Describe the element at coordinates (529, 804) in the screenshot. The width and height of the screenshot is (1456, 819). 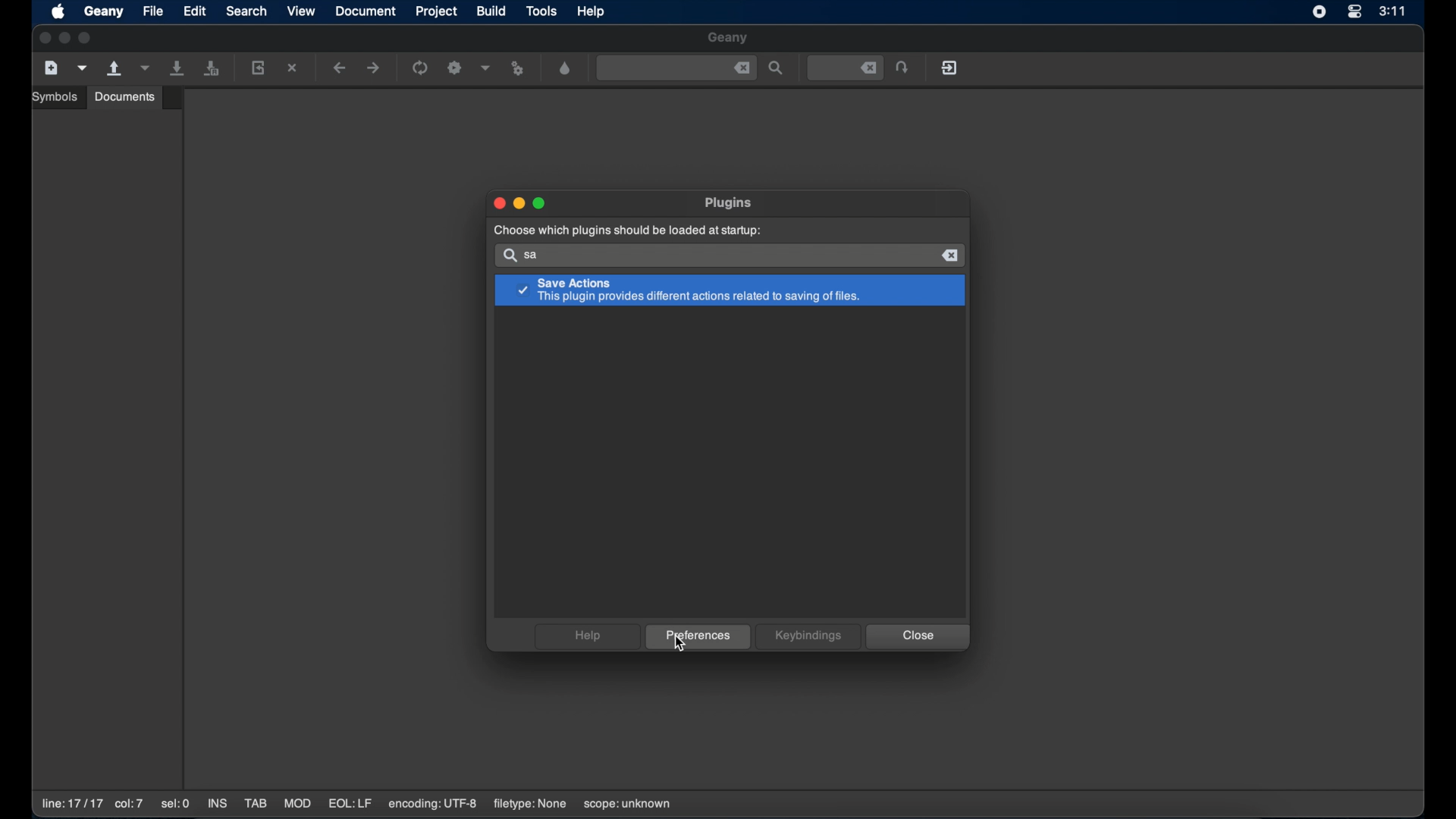
I see `filetype: none` at that location.